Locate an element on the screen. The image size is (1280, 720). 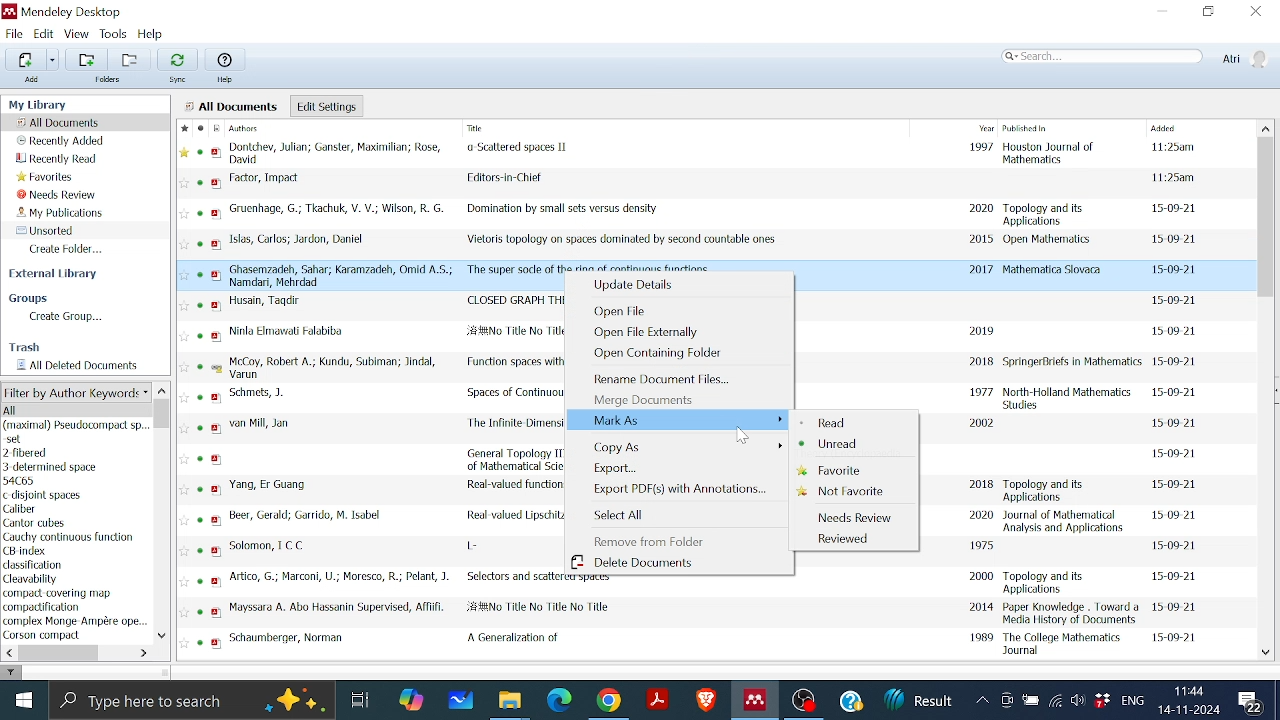
Task View is located at coordinates (365, 699).